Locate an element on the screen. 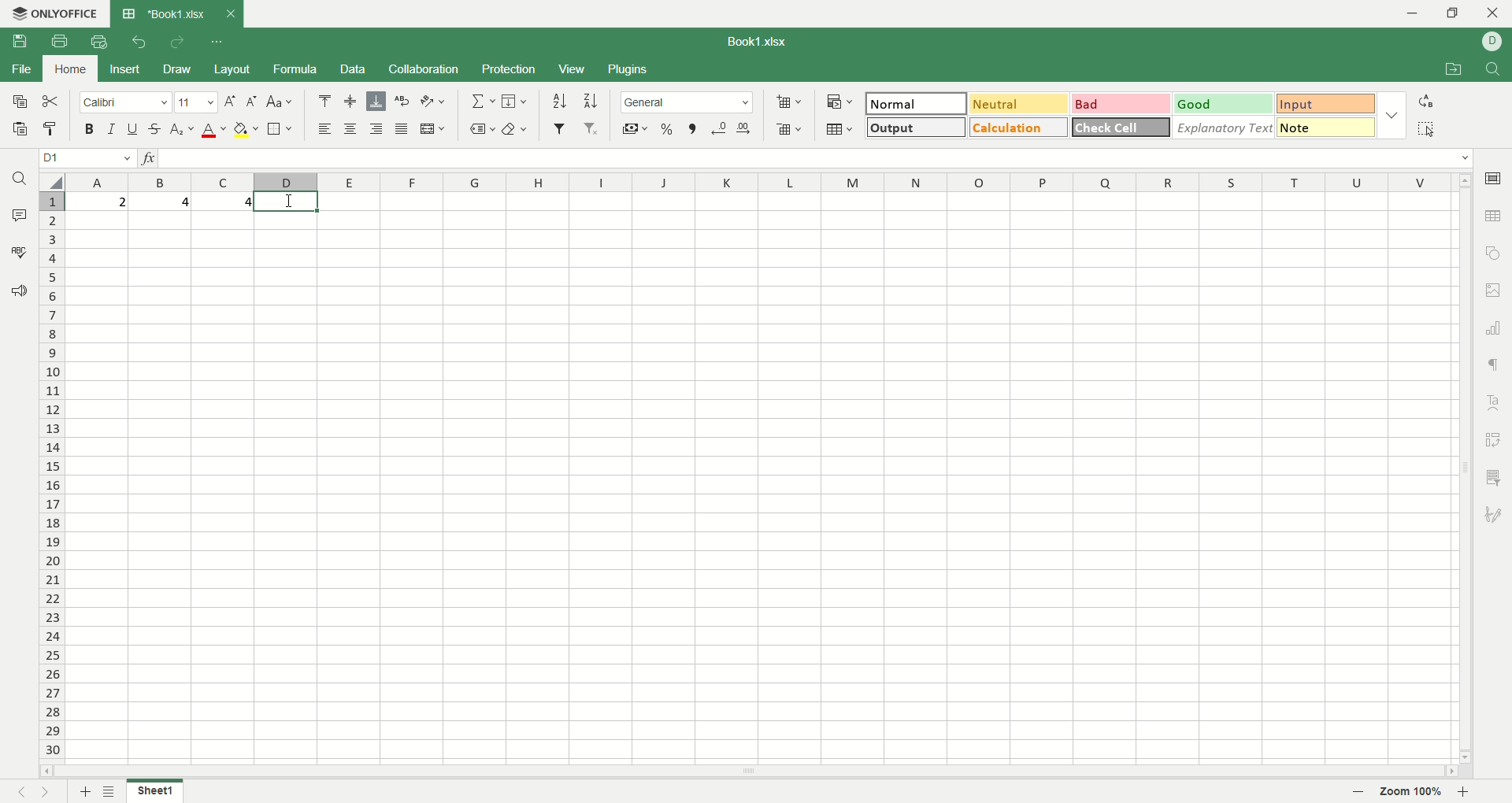 The image size is (1512, 803). rows is located at coordinates (46, 479).